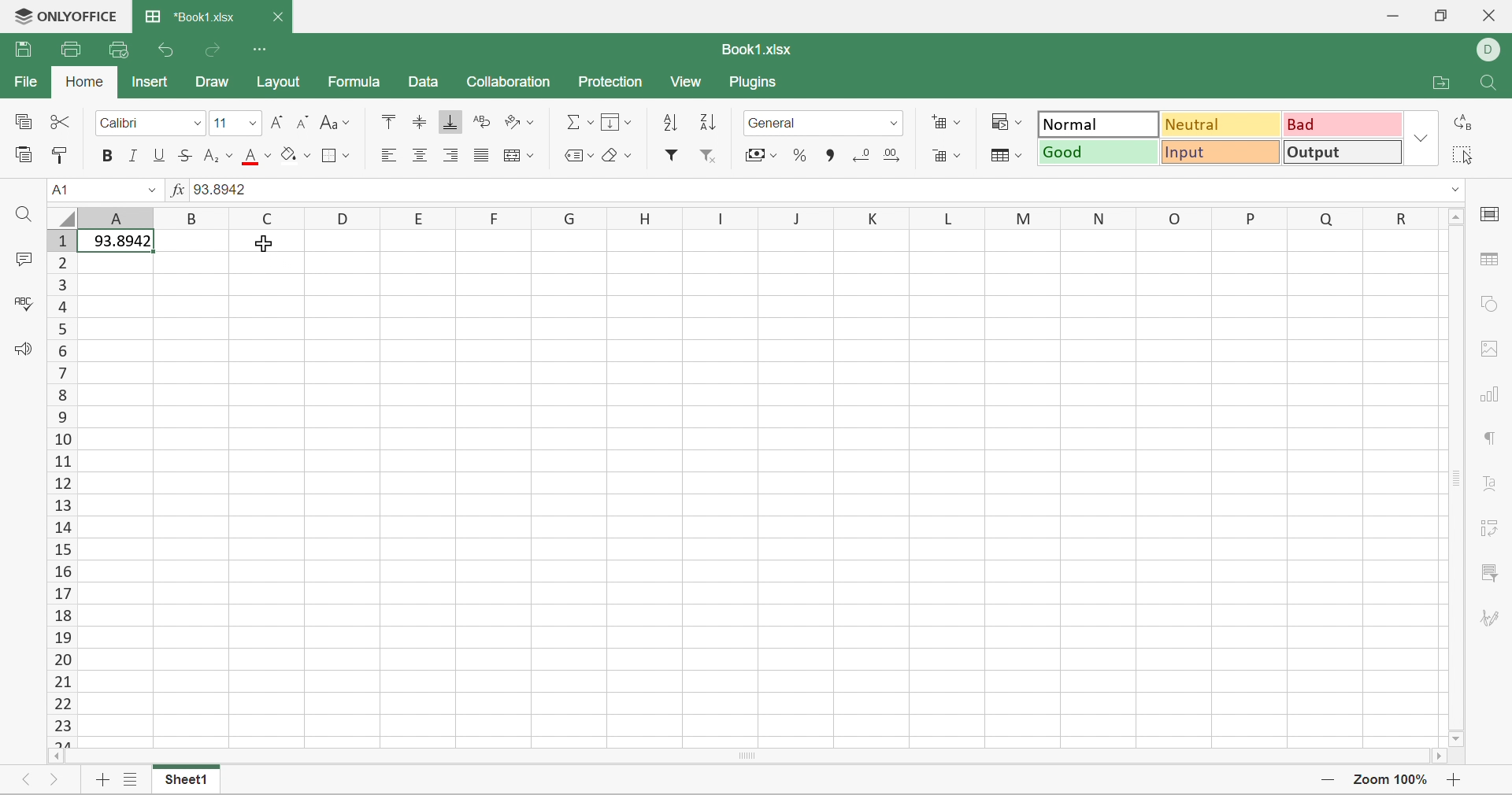 This screenshot has height=795, width=1512. What do you see at coordinates (128, 780) in the screenshot?
I see `List of sheets` at bounding box center [128, 780].